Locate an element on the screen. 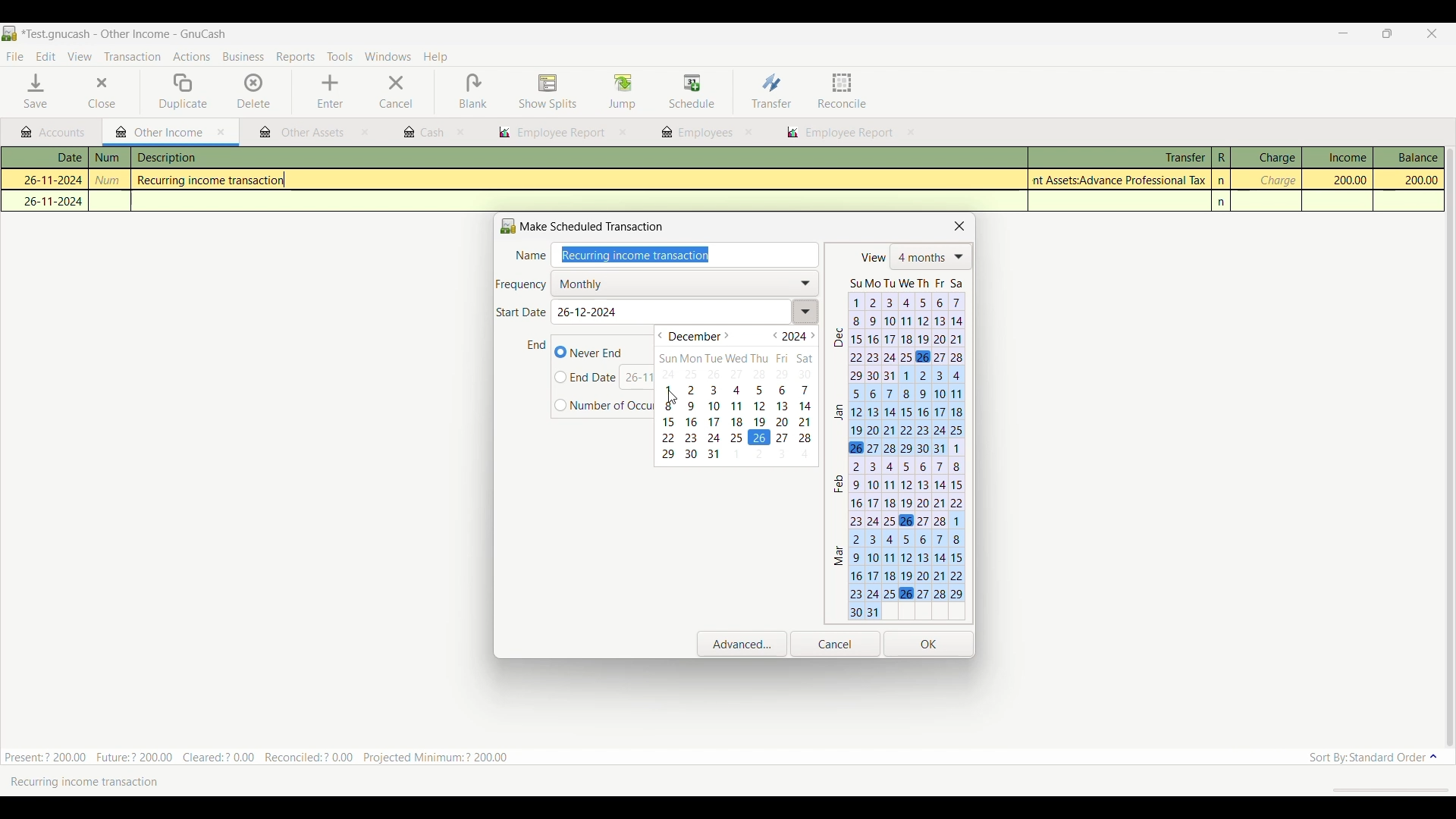  Name is located at coordinates (530, 256).